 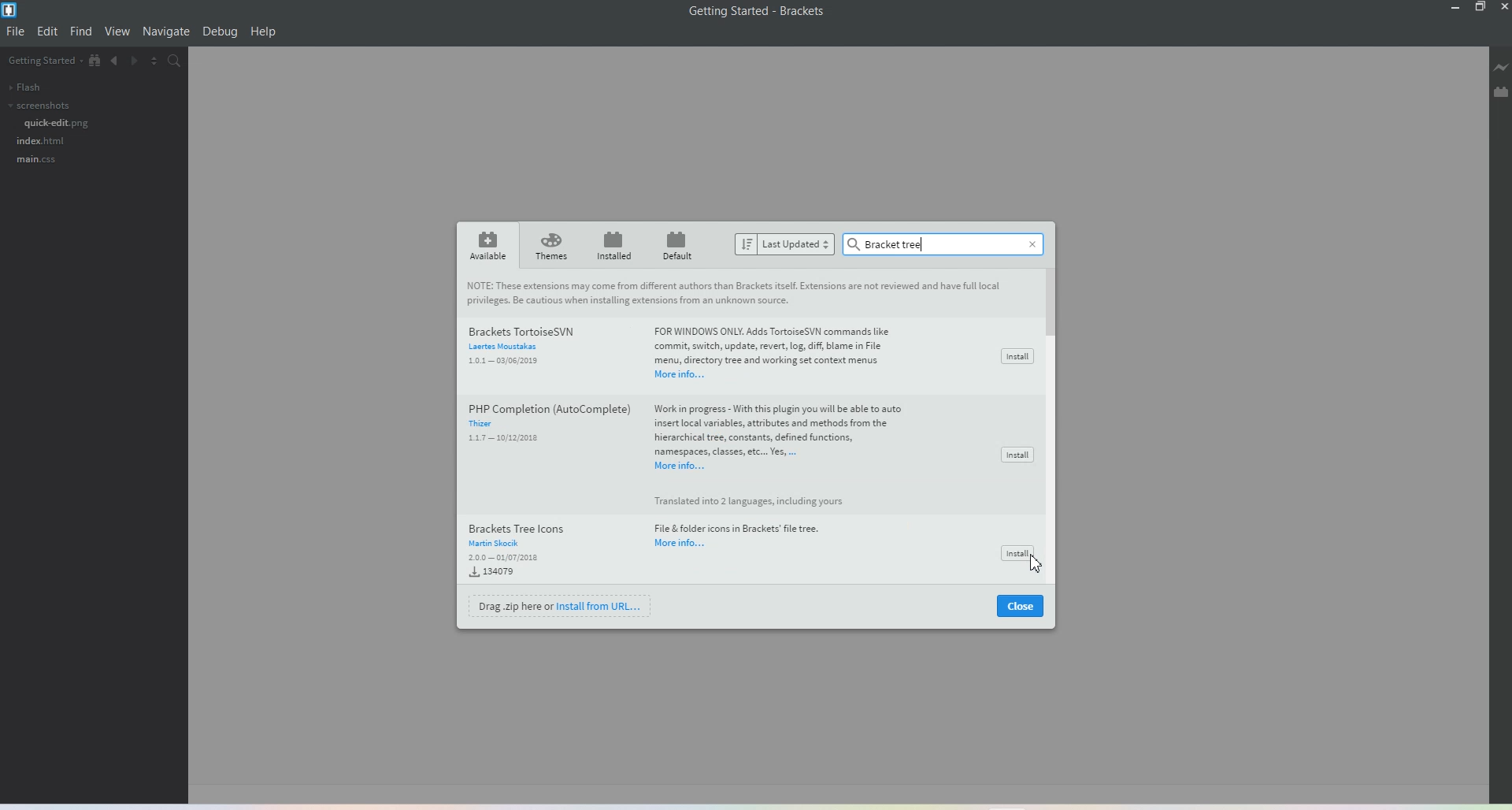 I want to click on Default, so click(x=680, y=244).